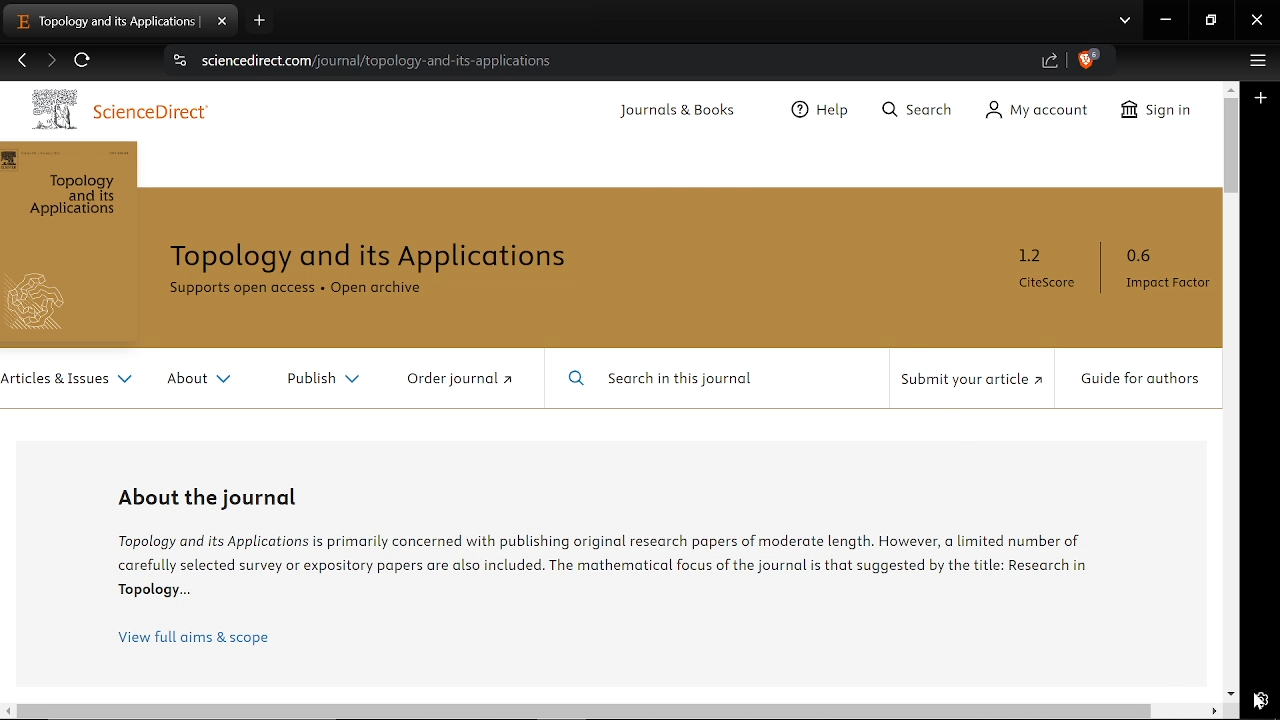 This screenshot has height=720, width=1280. What do you see at coordinates (1125, 22) in the screenshot?
I see `Search tabs` at bounding box center [1125, 22].